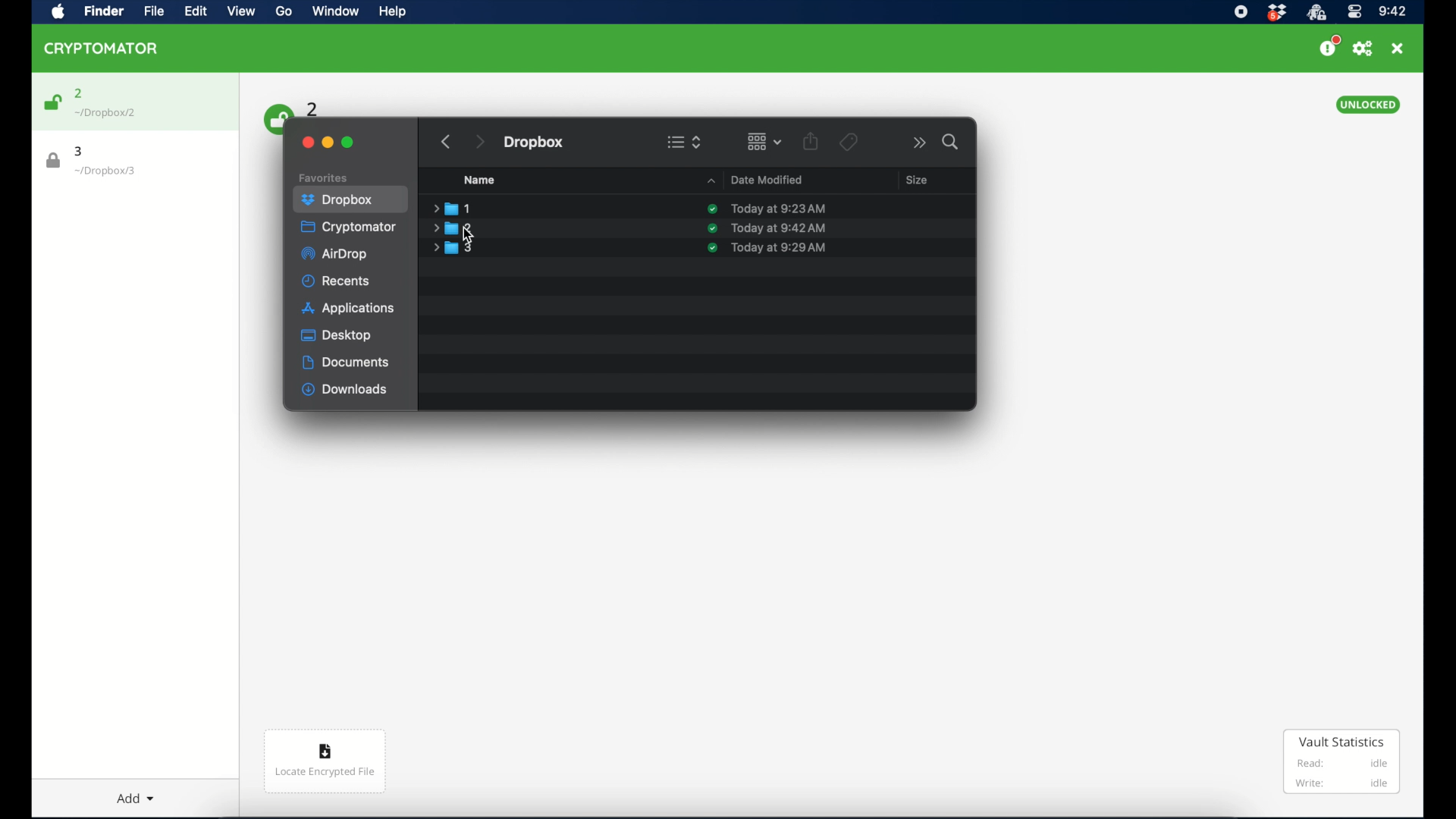 The width and height of the screenshot is (1456, 819). What do you see at coordinates (54, 161) in the screenshot?
I see `lock icon` at bounding box center [54, 161].